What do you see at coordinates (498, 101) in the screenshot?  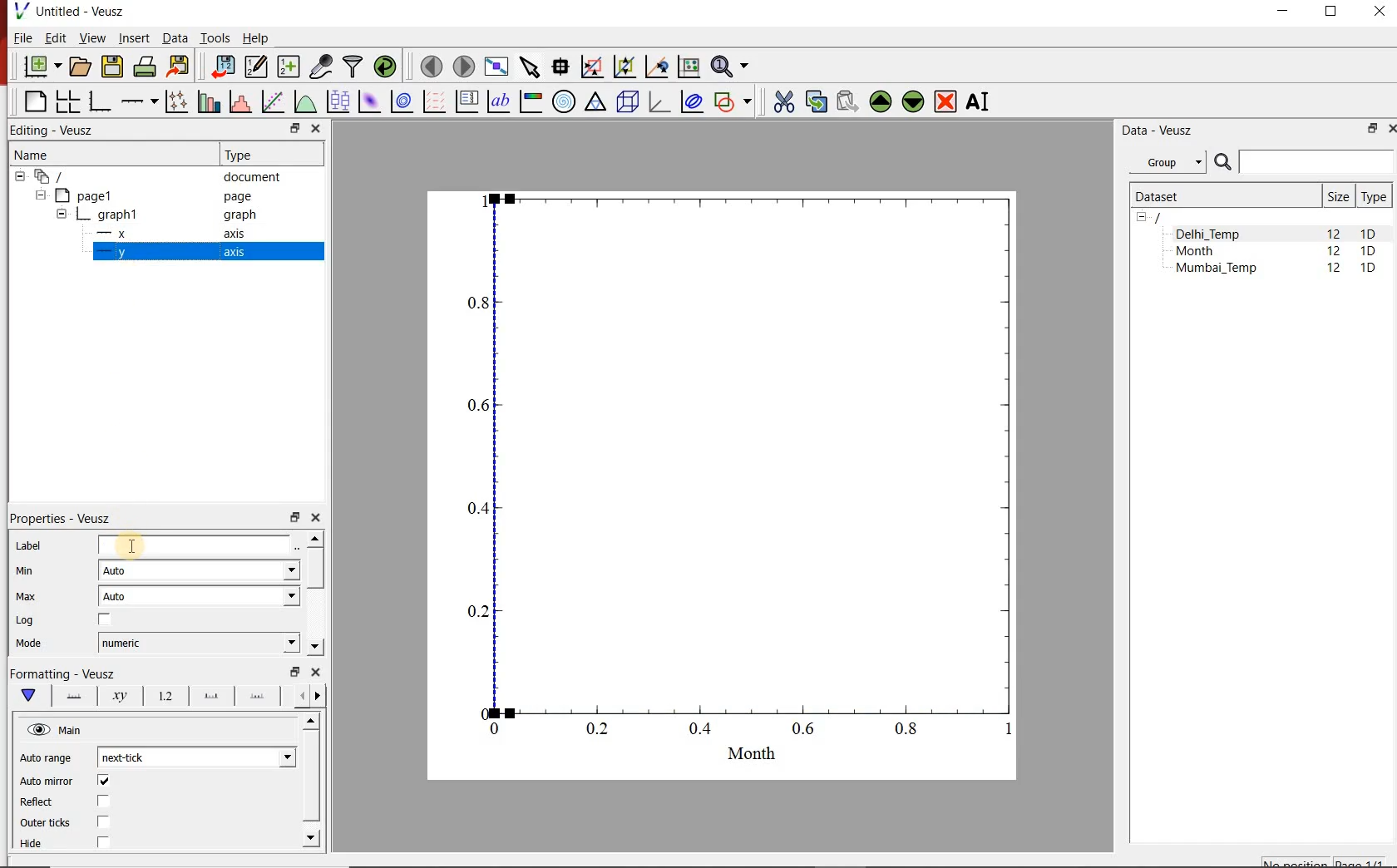 I see `text label` at bounding box center [498, 101].